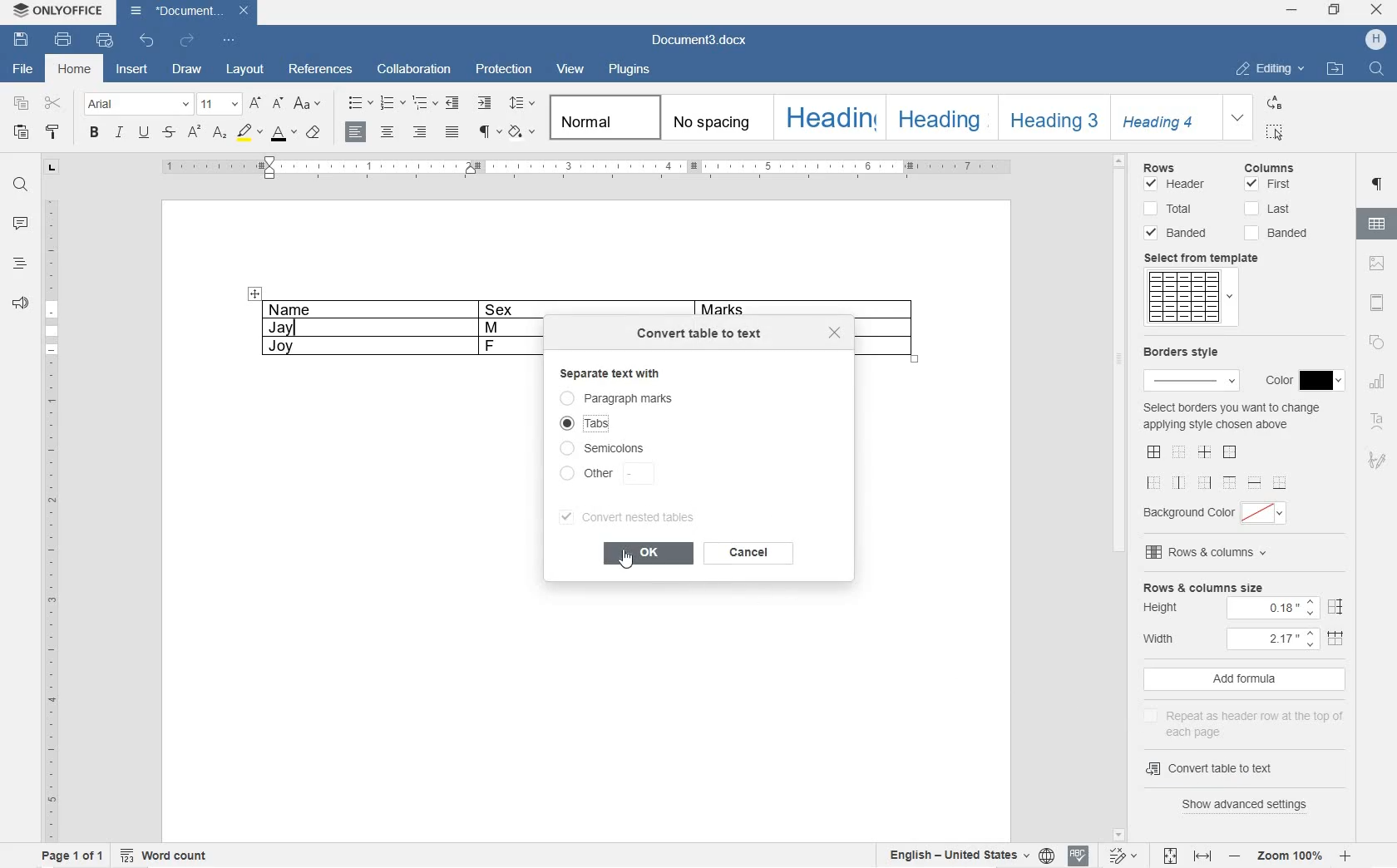 Image resolution: width=1397 pixels, height=868 pixels. Describe the element at coordinates (1052, 118) in the screenshot. I see `HEADING 3` at that location.